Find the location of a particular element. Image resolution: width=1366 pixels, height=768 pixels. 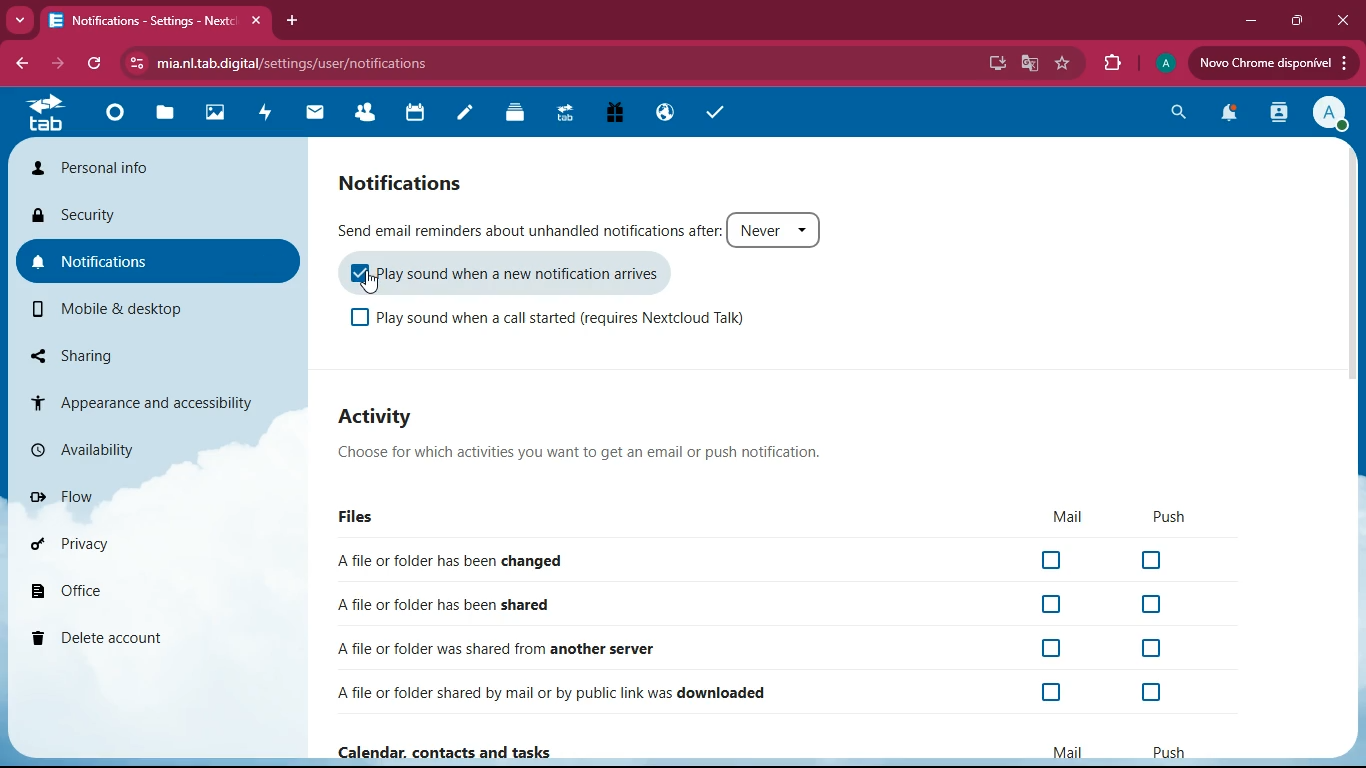

activity is located at coordinates (270, 114).